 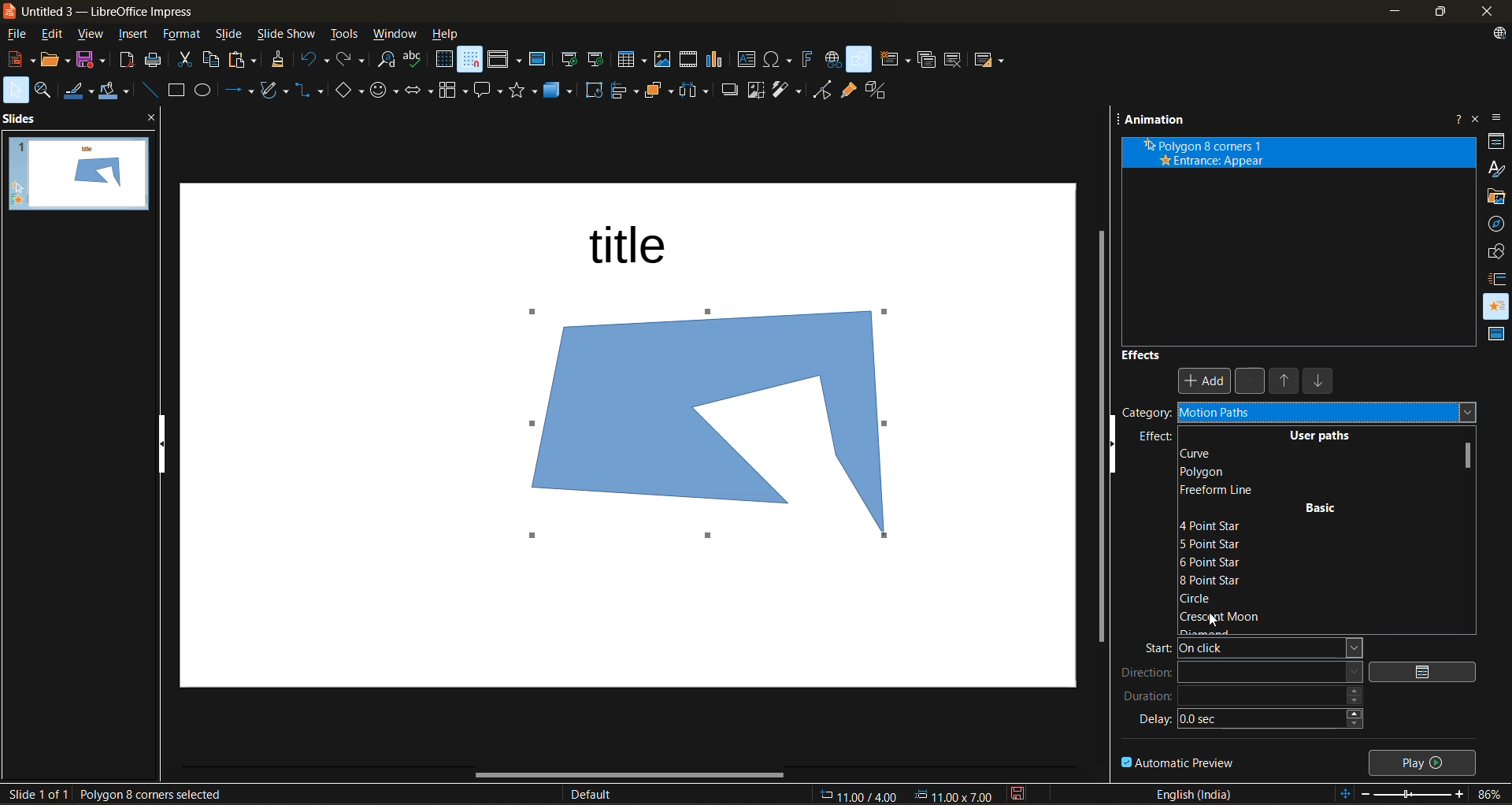 I want to click on toggle point mode, so click(x=823, y=91).